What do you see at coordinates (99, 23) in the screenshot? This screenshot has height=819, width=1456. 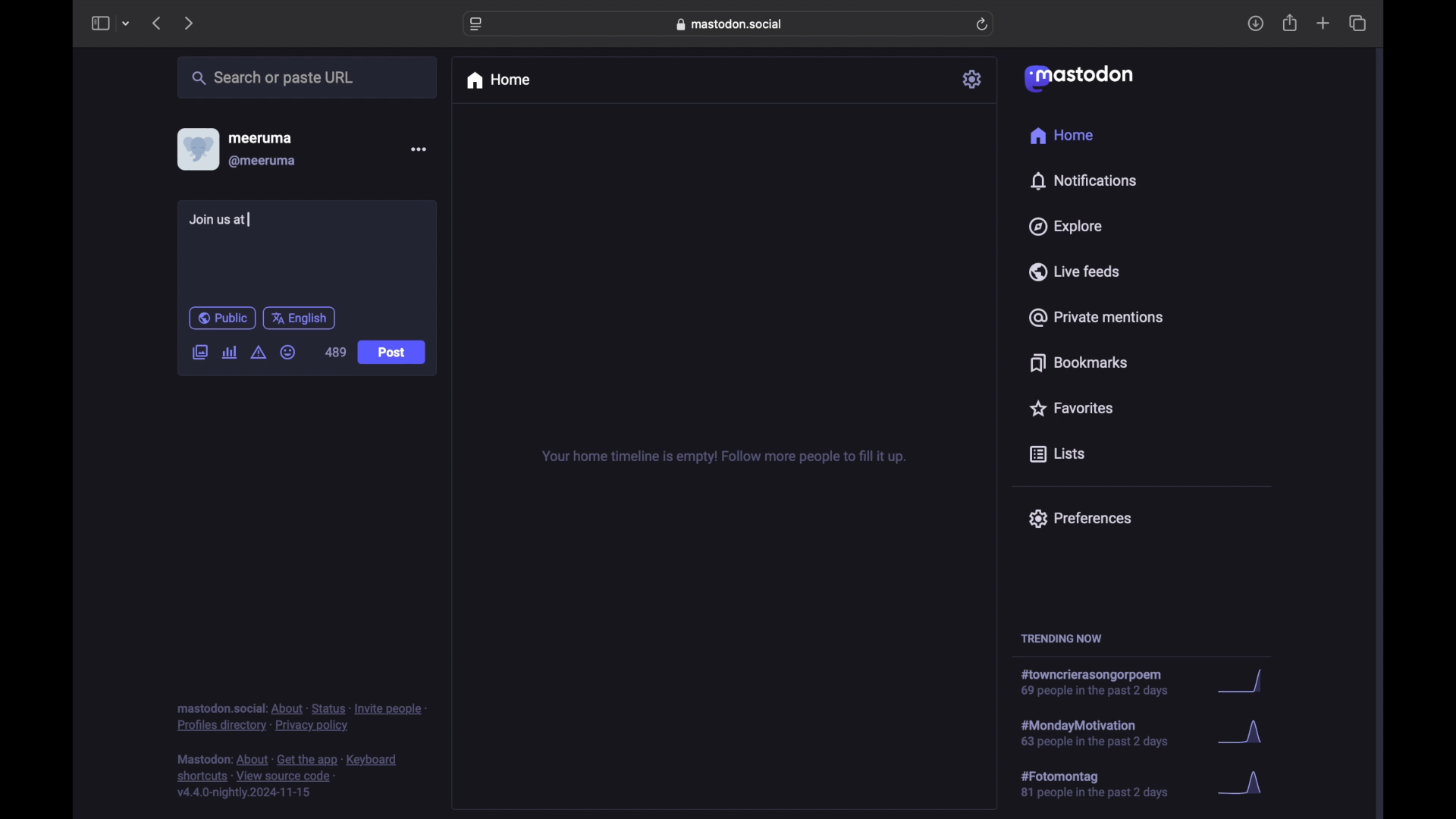 I see `sidebar` at bounding box center [99, 23].